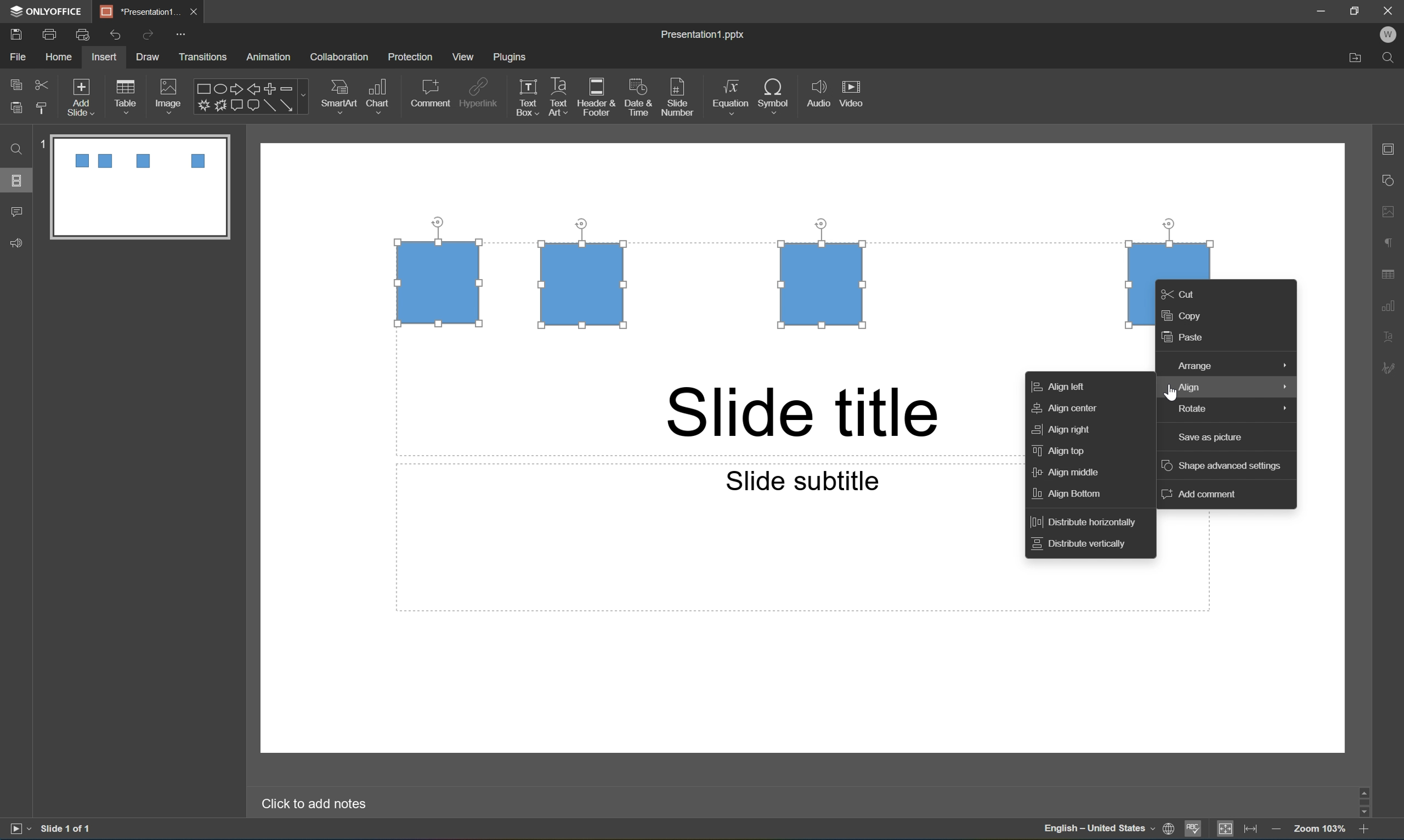 This screenshot has height=840, width=1404. I want to click on audio, so click(816, 96).